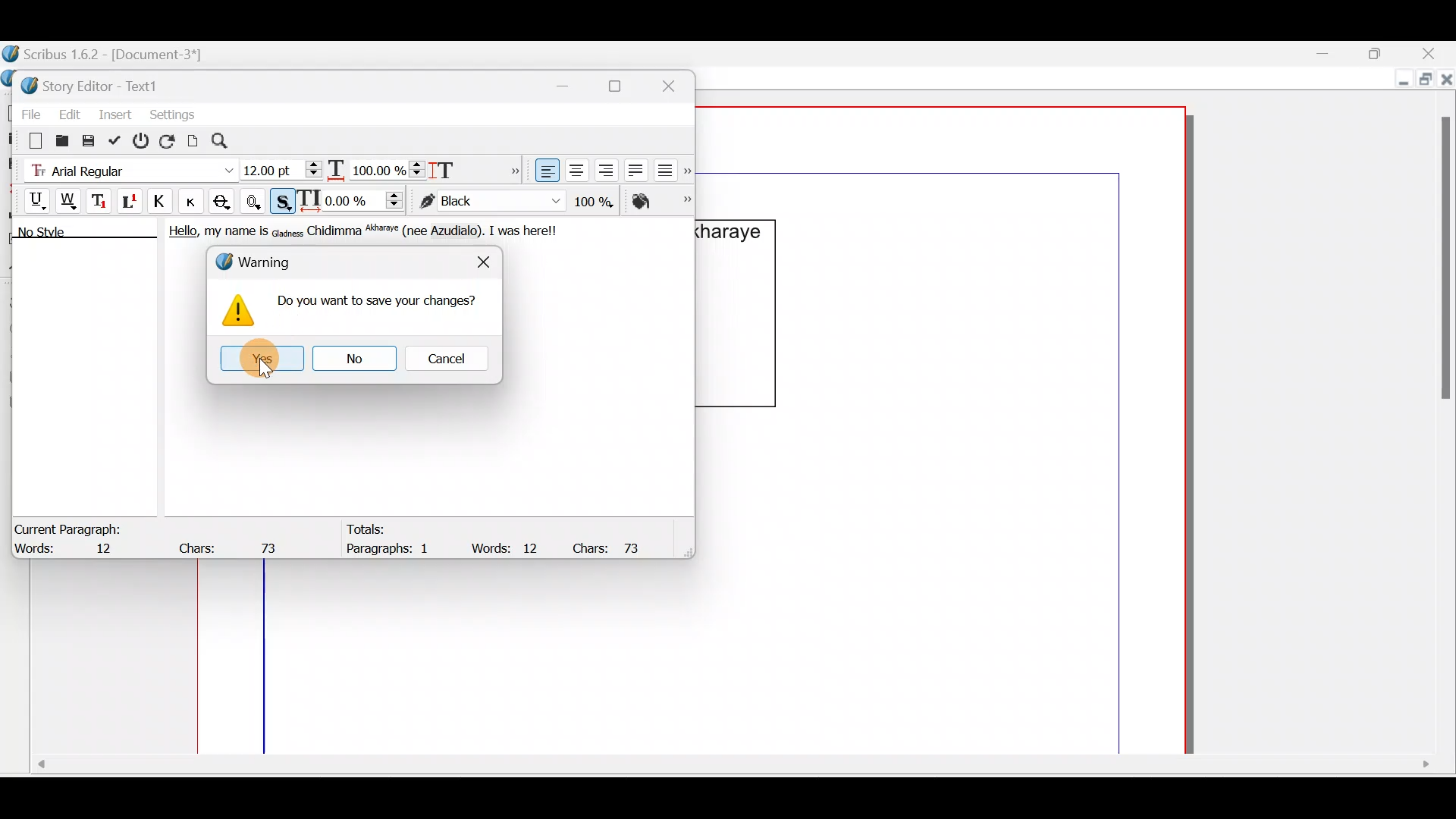 Image resolution: width=1456 pixels, height=819 pixels. I want to click on File, so click(27, 111).